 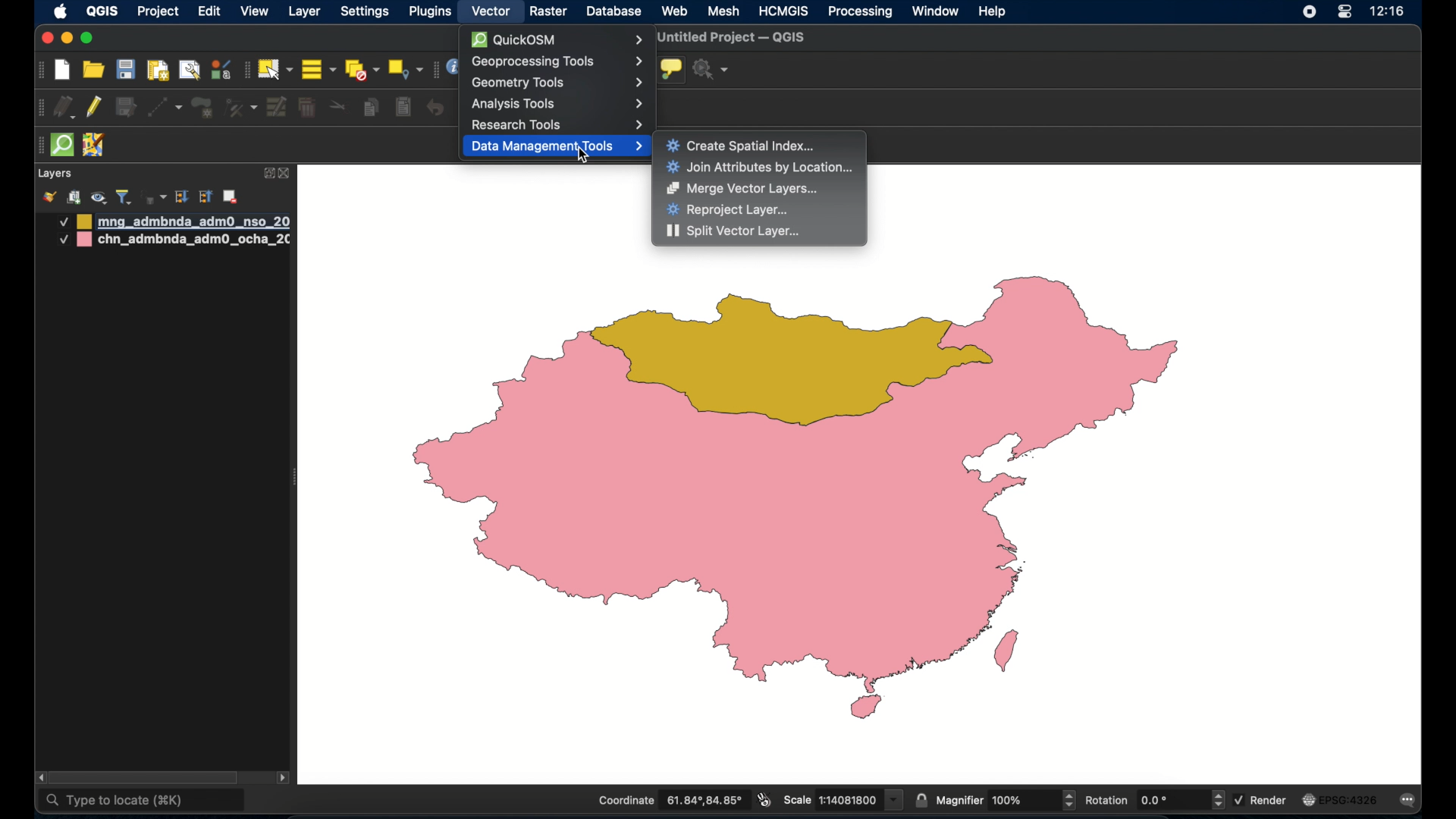 I want to click on china administrative boundary layer 2, so click(x=174, y=241).